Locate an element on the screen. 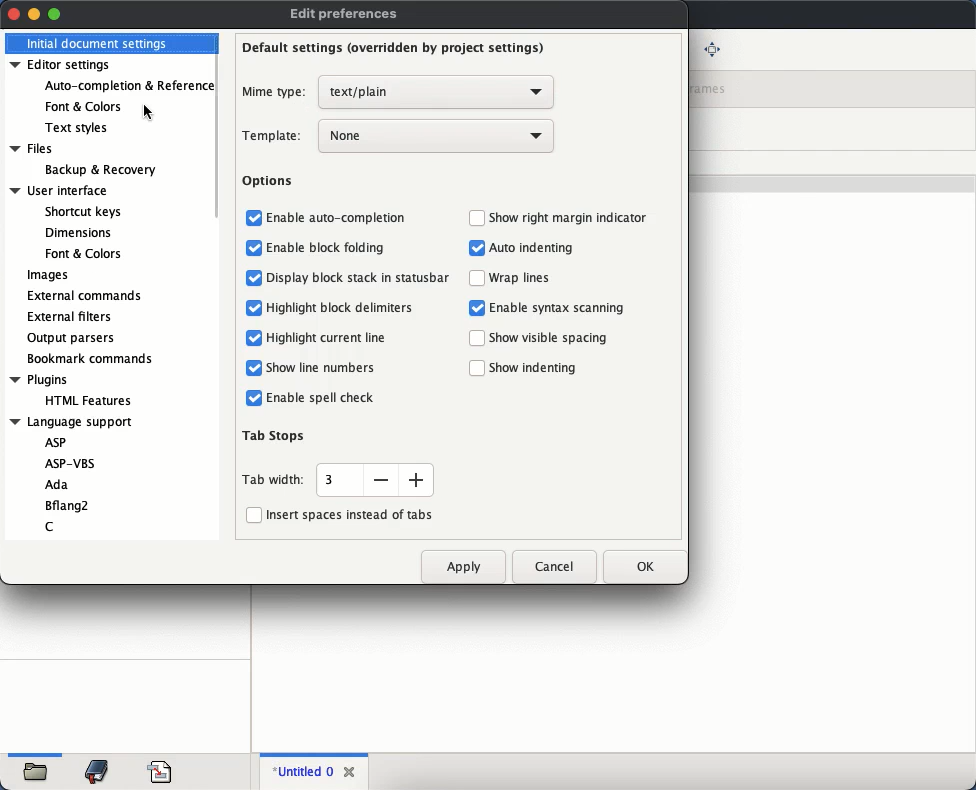 Image resolution: width=976 pixels, height=790 pixels. Cursor is located at coordinates (147, 112).